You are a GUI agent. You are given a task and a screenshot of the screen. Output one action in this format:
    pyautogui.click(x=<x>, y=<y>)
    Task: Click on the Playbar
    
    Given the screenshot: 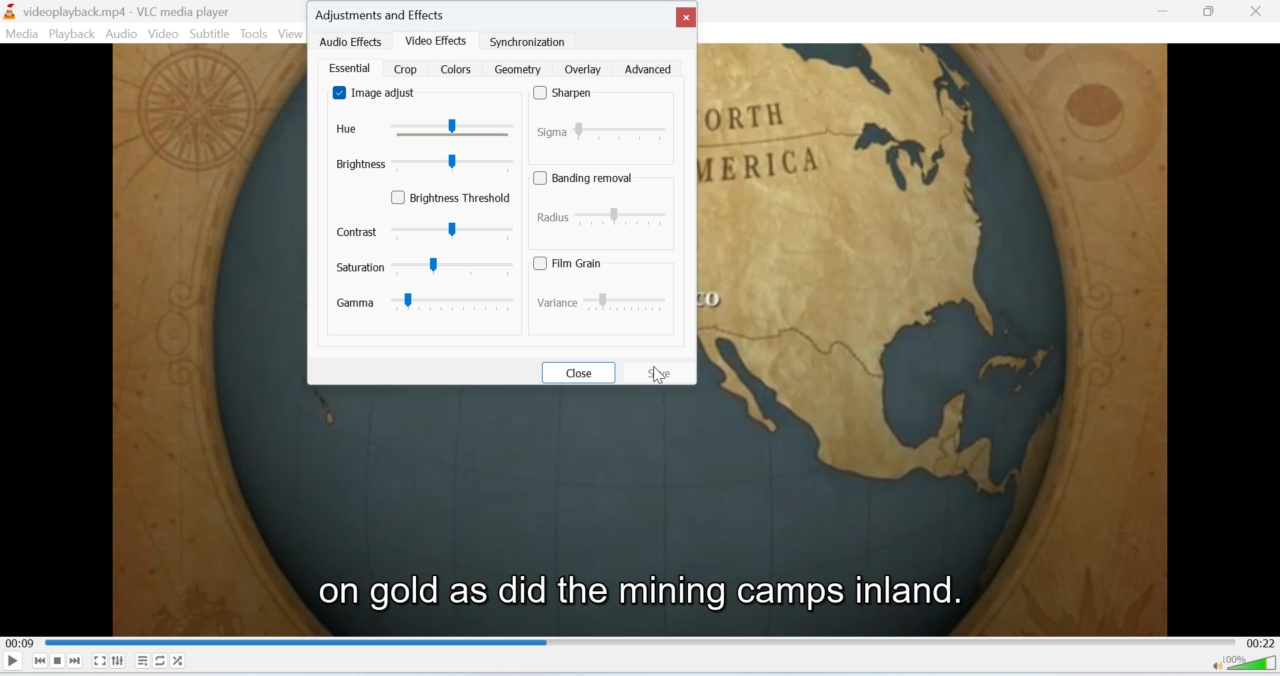 What is the action you would take?
    pyautogui.click(x=640, y=641)
    